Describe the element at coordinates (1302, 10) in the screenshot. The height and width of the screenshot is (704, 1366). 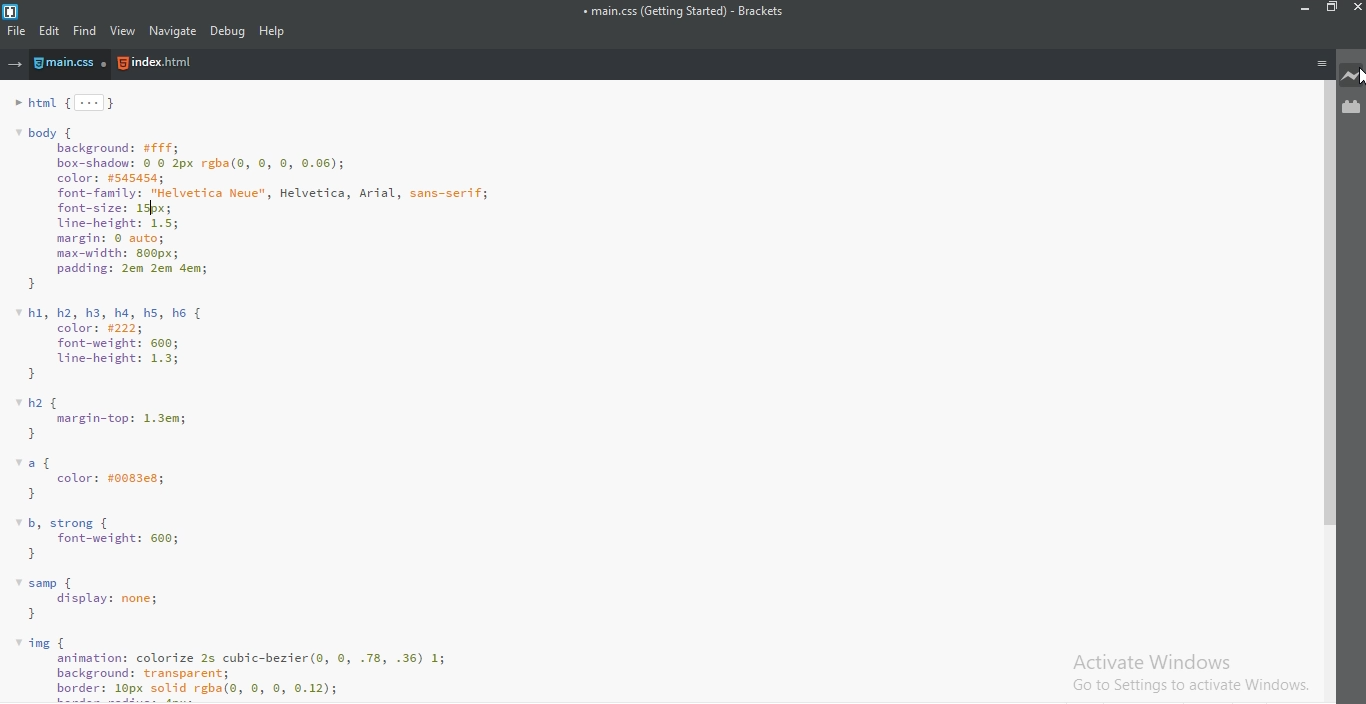
I see `minimise` at that location.